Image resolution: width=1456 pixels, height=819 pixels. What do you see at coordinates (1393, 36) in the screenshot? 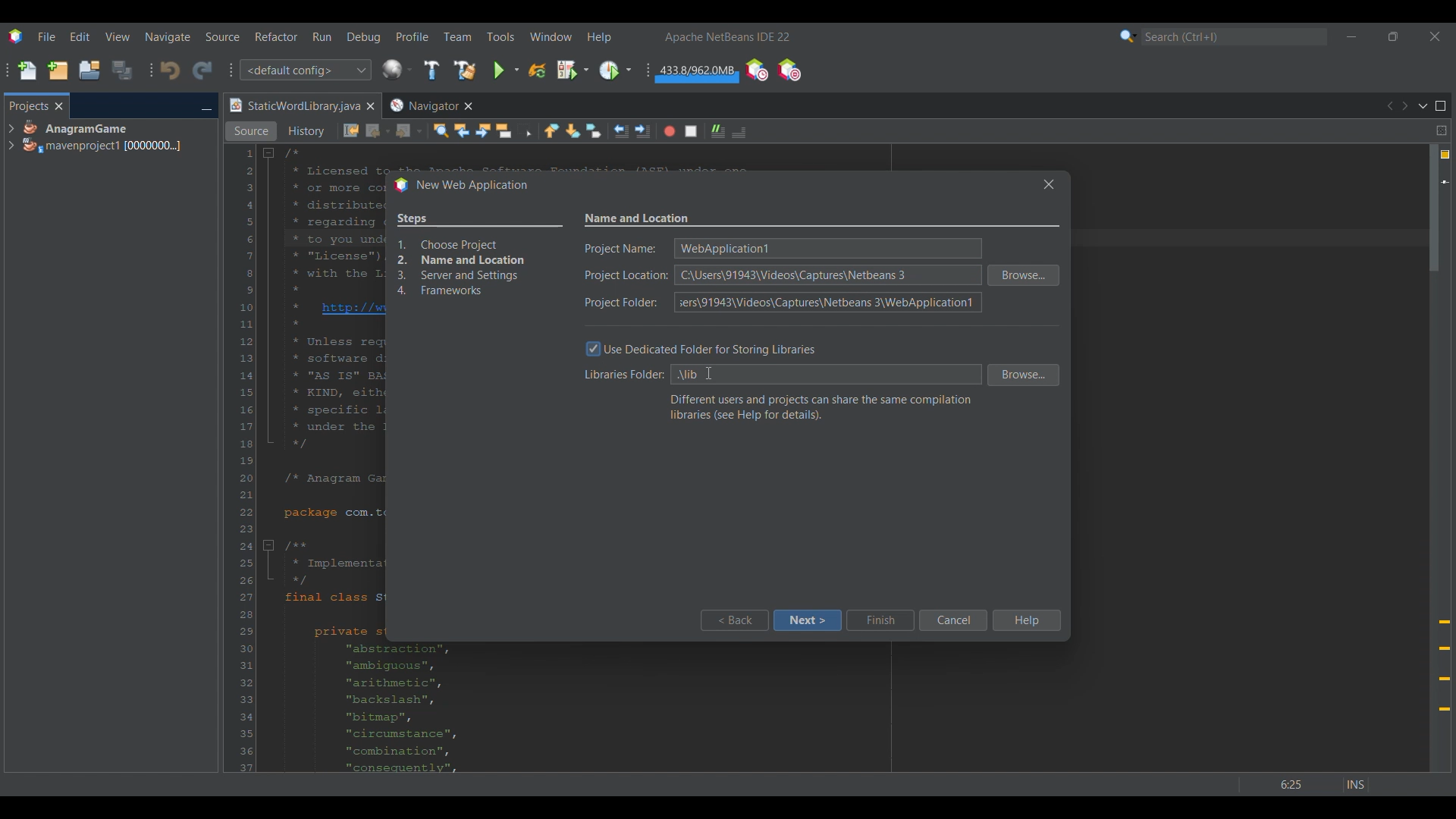
I see `Show in smaller tab` at bounding box center [1393, 36].